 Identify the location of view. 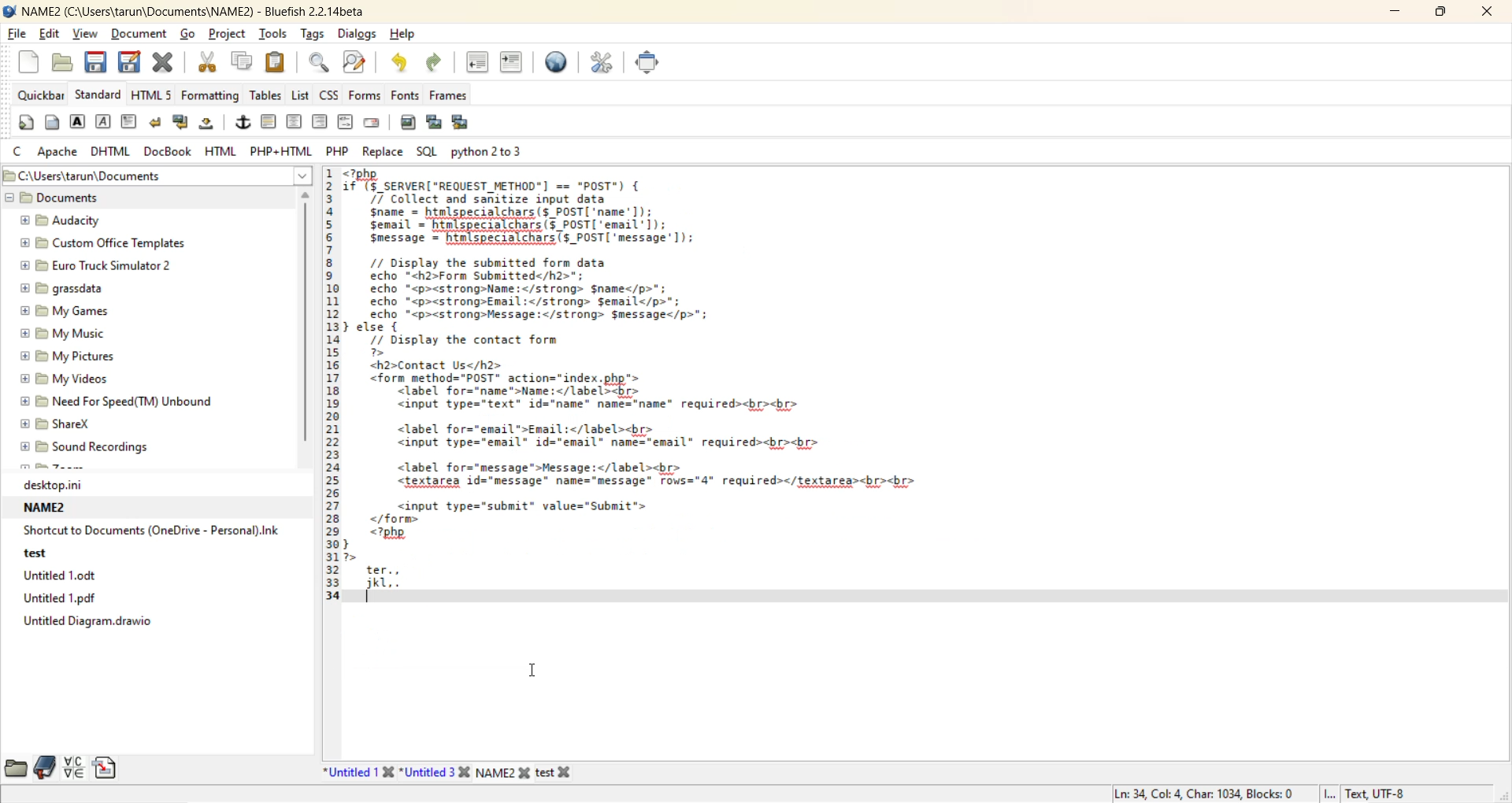
(86, 33).